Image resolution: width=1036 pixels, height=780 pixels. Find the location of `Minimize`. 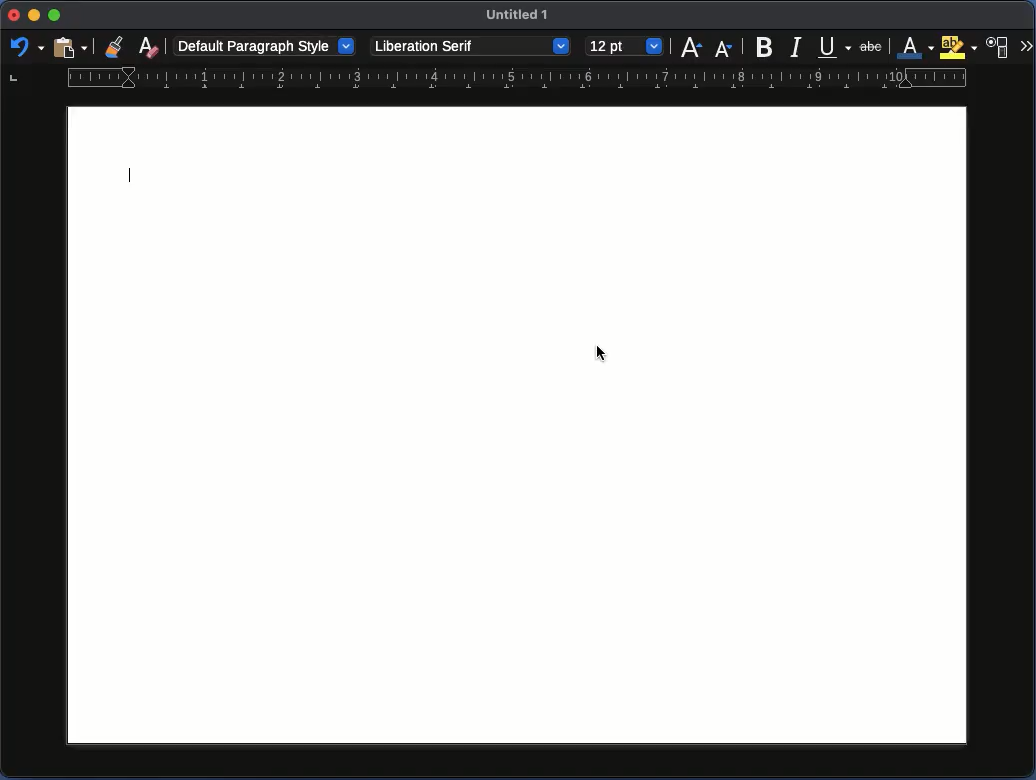

Minimize is located at coordinates (35, 18).